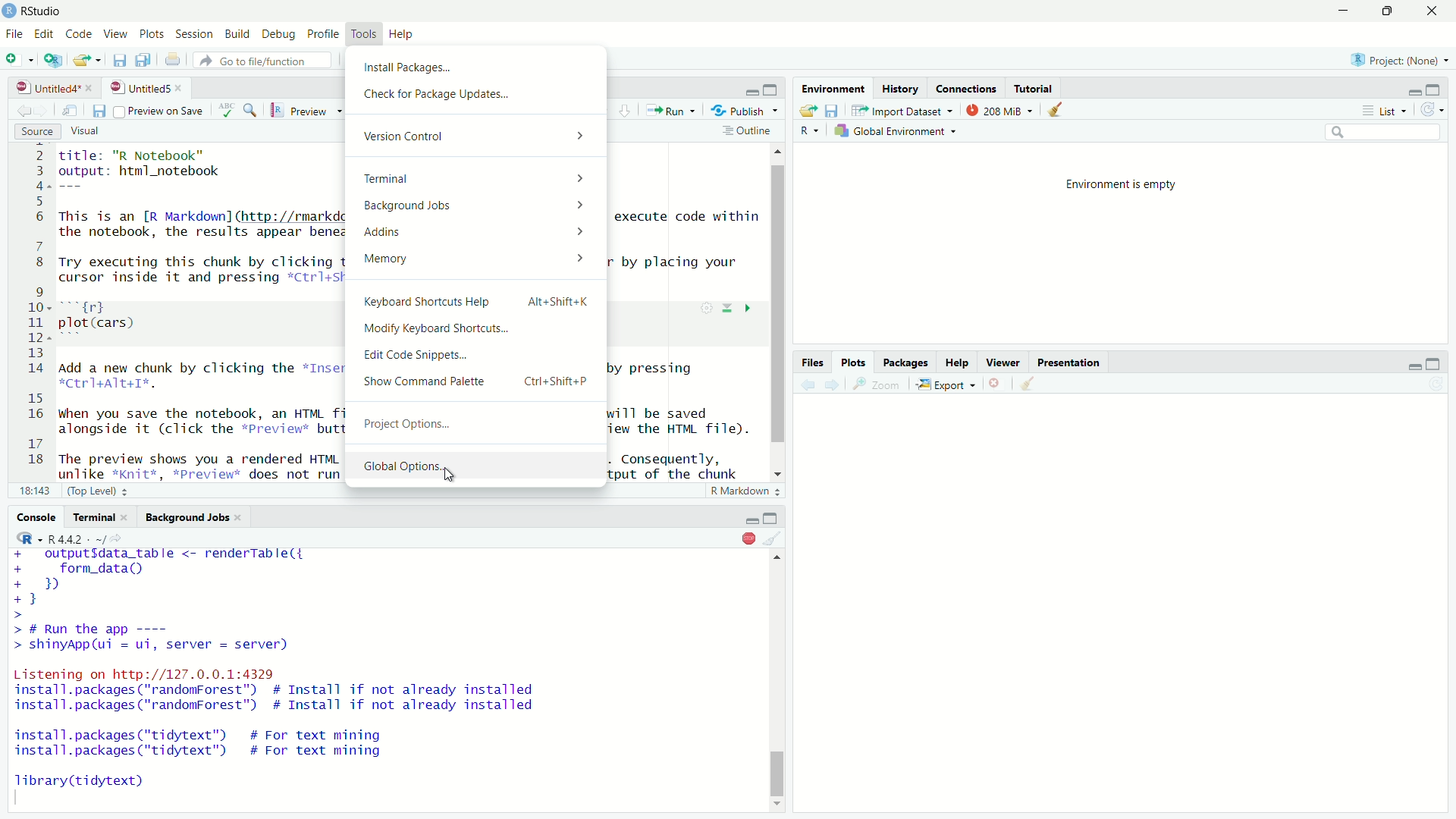 Image resolution: width=1456 pixels, height=819 pixels. What do you see at coordinates (194, 518) in the screenshot?
I see `Background Jobs` at bounding box center [194, 518].